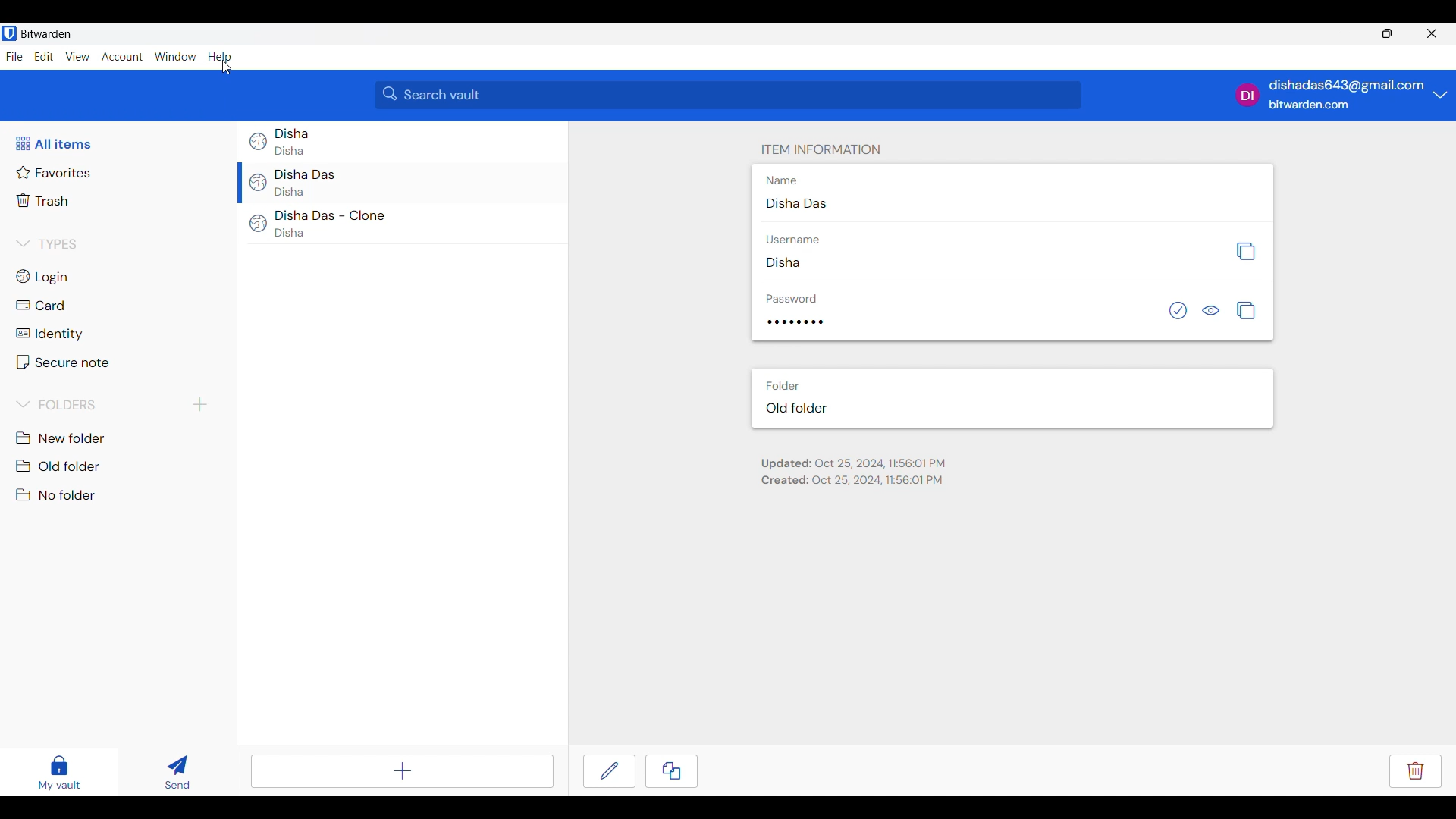 This screenshot has width=1456, height=819. I want to click on Folder, so click(782, 386).